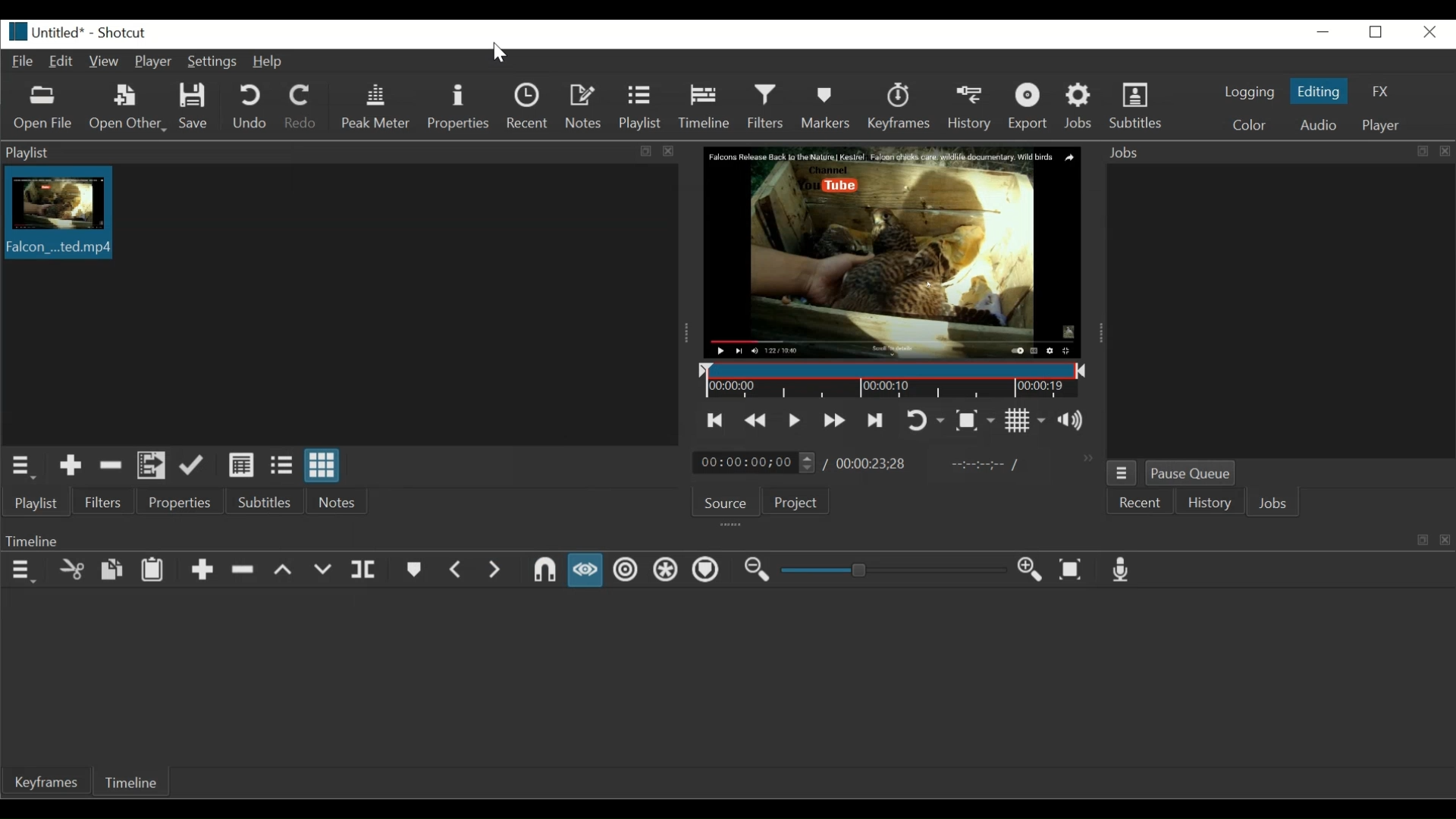 The width and height of the screenshot is (1456, 819). I want to click on Toggle player looping, so click(924, 419).